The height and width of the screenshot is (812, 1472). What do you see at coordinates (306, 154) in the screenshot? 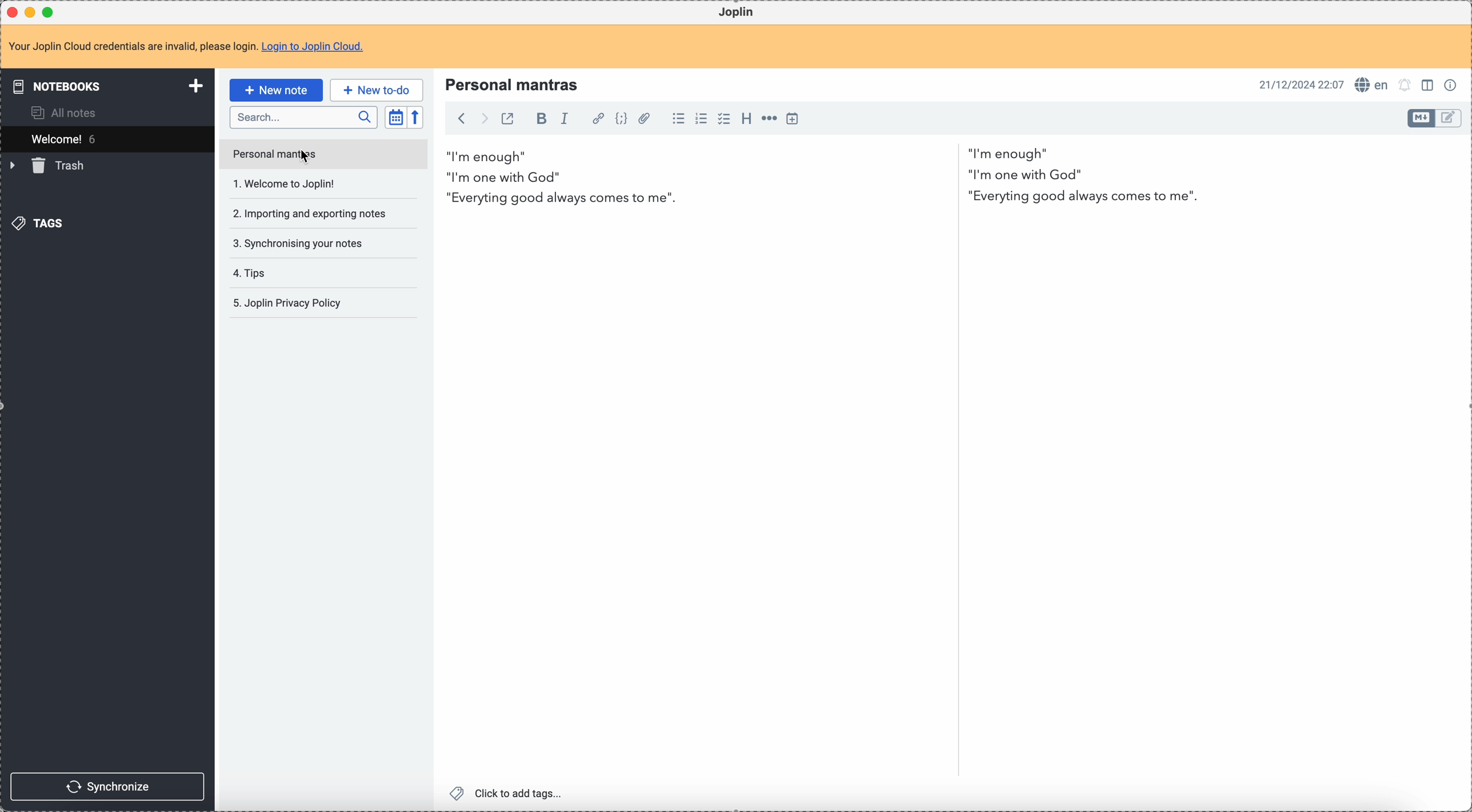
I see `cursor` at bounding box center [306, 154].